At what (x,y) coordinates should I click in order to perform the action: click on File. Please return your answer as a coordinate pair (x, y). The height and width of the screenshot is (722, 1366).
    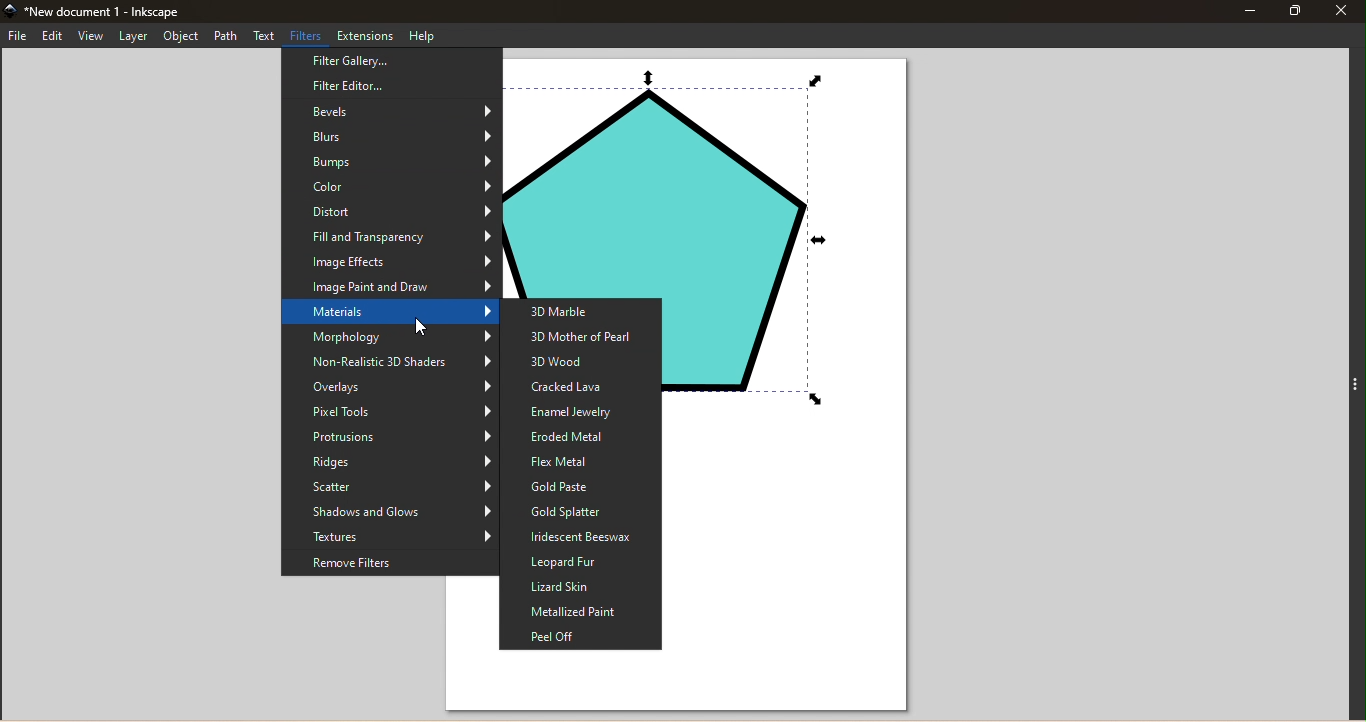
    Looking at the image, I should click on (18, 37).